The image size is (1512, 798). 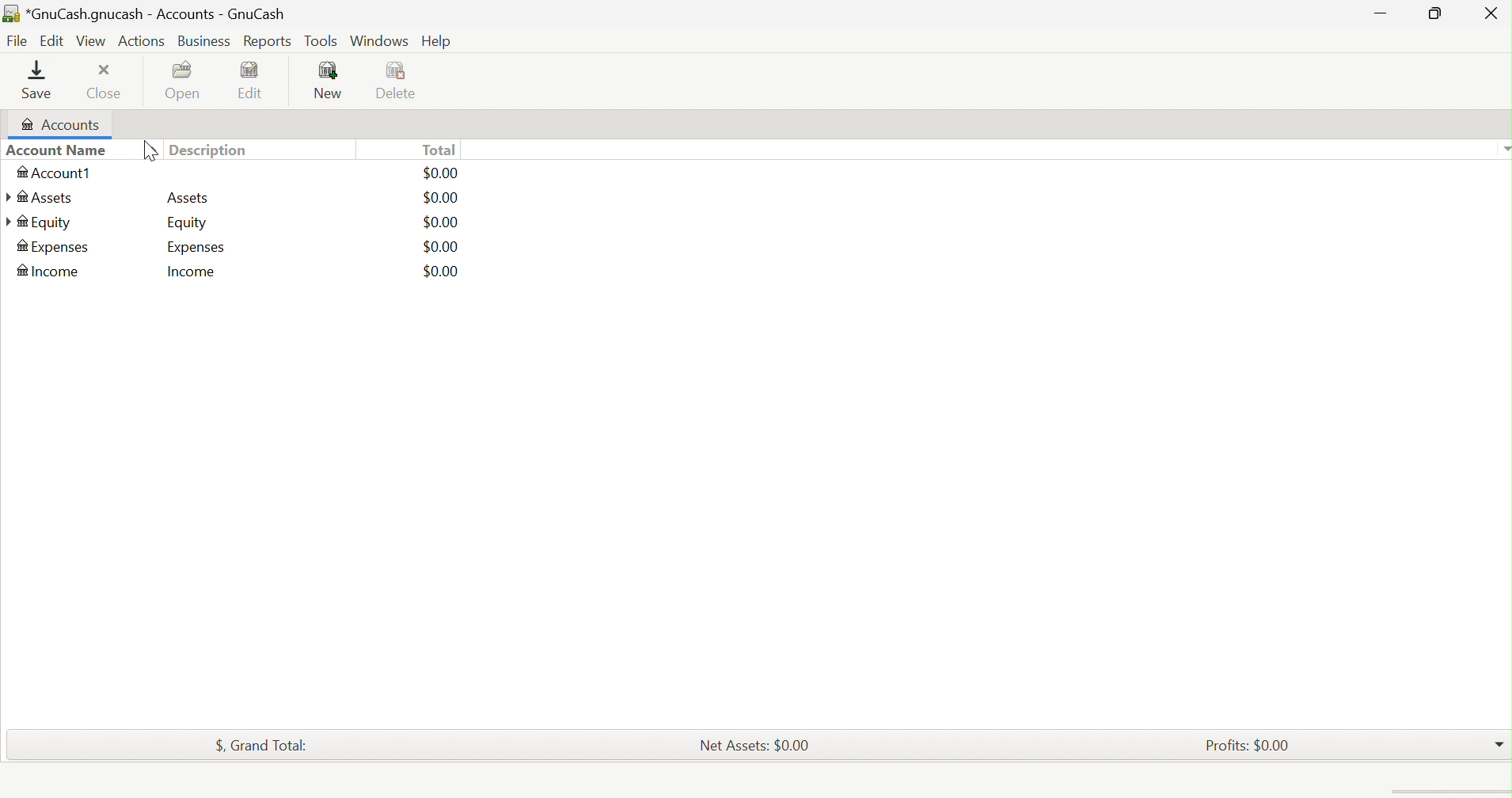 I want to click on Income, so click(x=193, y=247).